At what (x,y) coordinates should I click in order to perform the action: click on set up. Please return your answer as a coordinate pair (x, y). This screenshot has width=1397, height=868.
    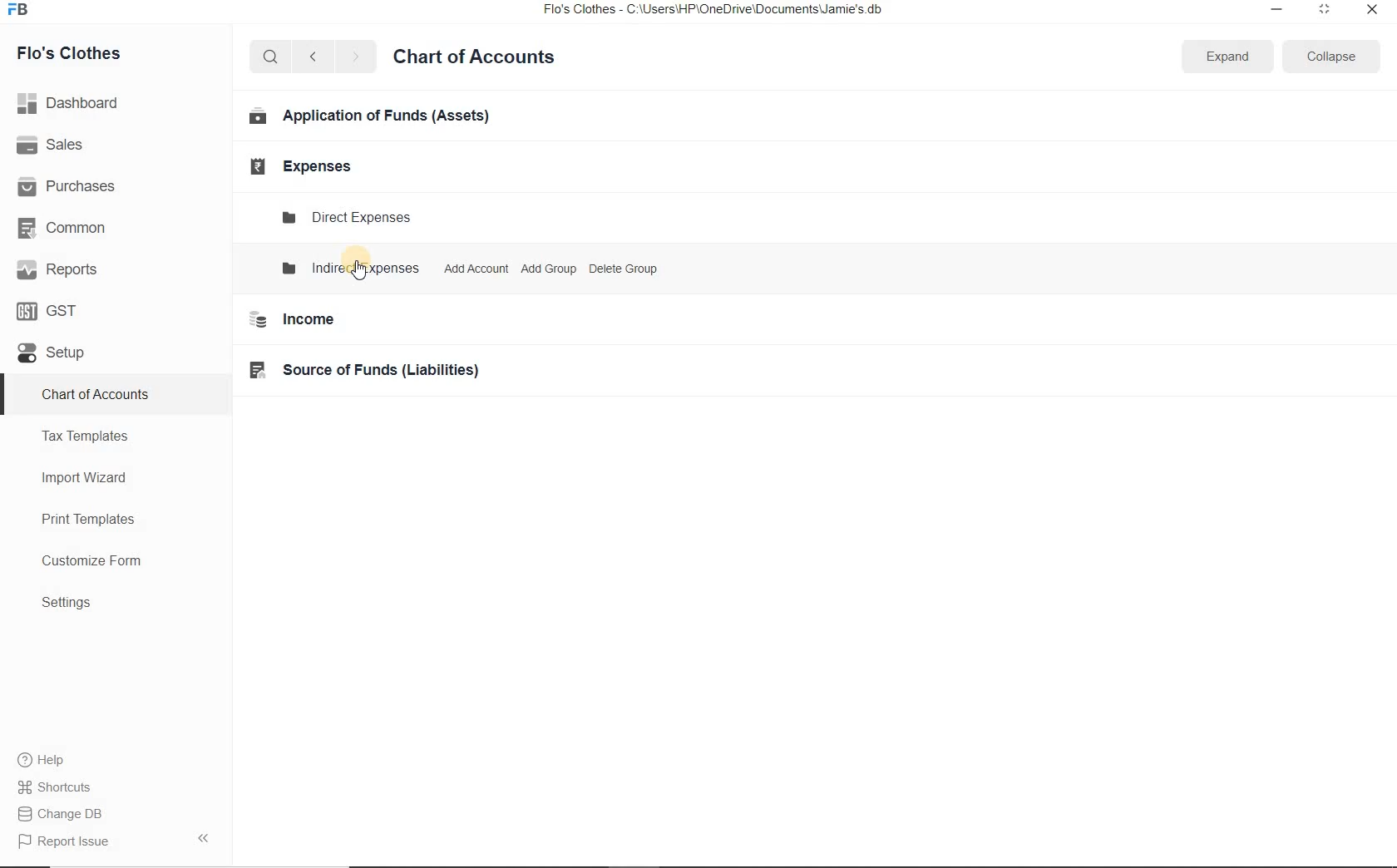
    Looking at the image, I should click on (52, 354).